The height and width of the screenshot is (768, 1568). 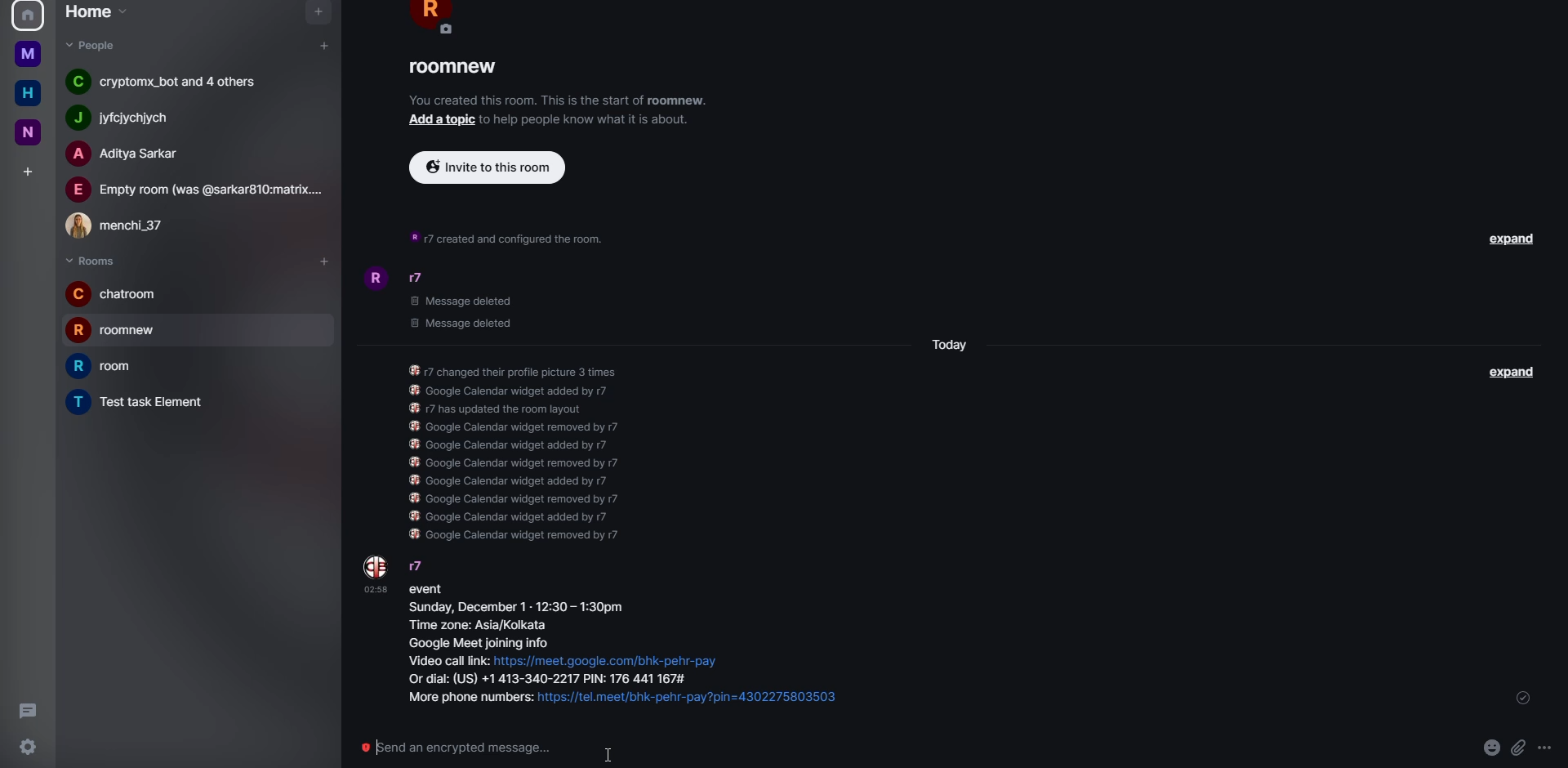 What do you see at coordinates (325, 45) in the screenshot?
I see `add` at bounding box center [325, 45].